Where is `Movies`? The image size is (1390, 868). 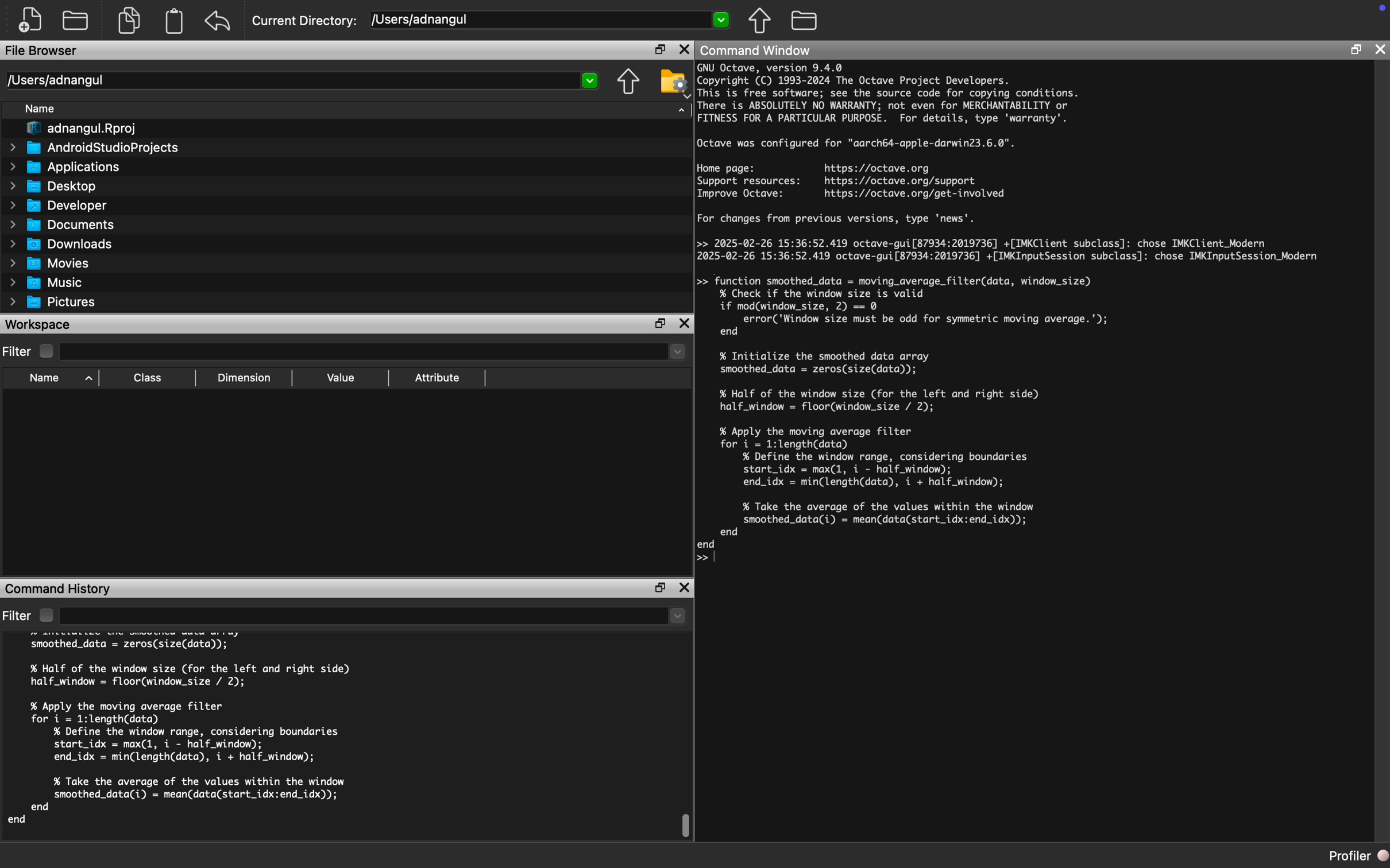
Movies is located at coordinates (50, 264).